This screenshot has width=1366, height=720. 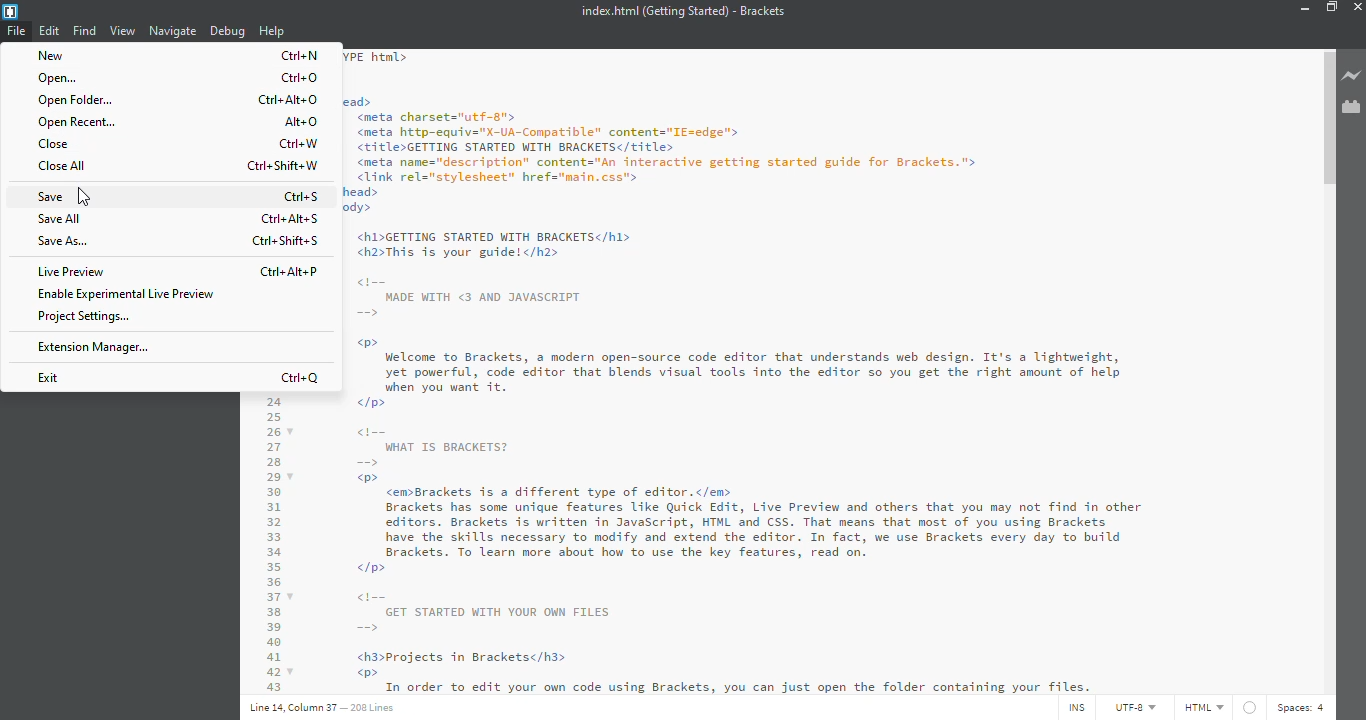 I want to click on ctrl+s, so click(x=303, y=196).